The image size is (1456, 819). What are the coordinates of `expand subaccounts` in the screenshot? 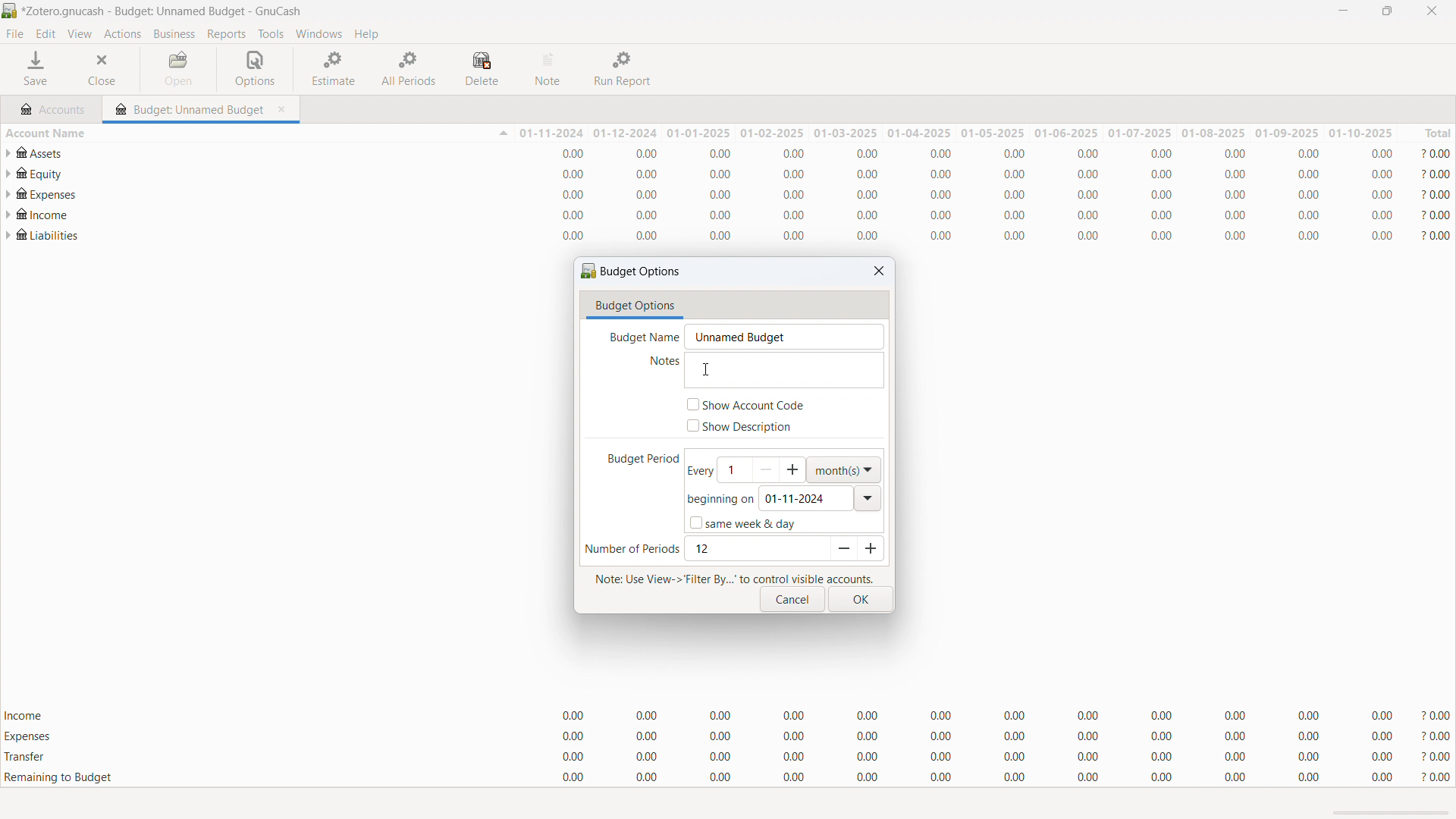 It's located at (9, 235).